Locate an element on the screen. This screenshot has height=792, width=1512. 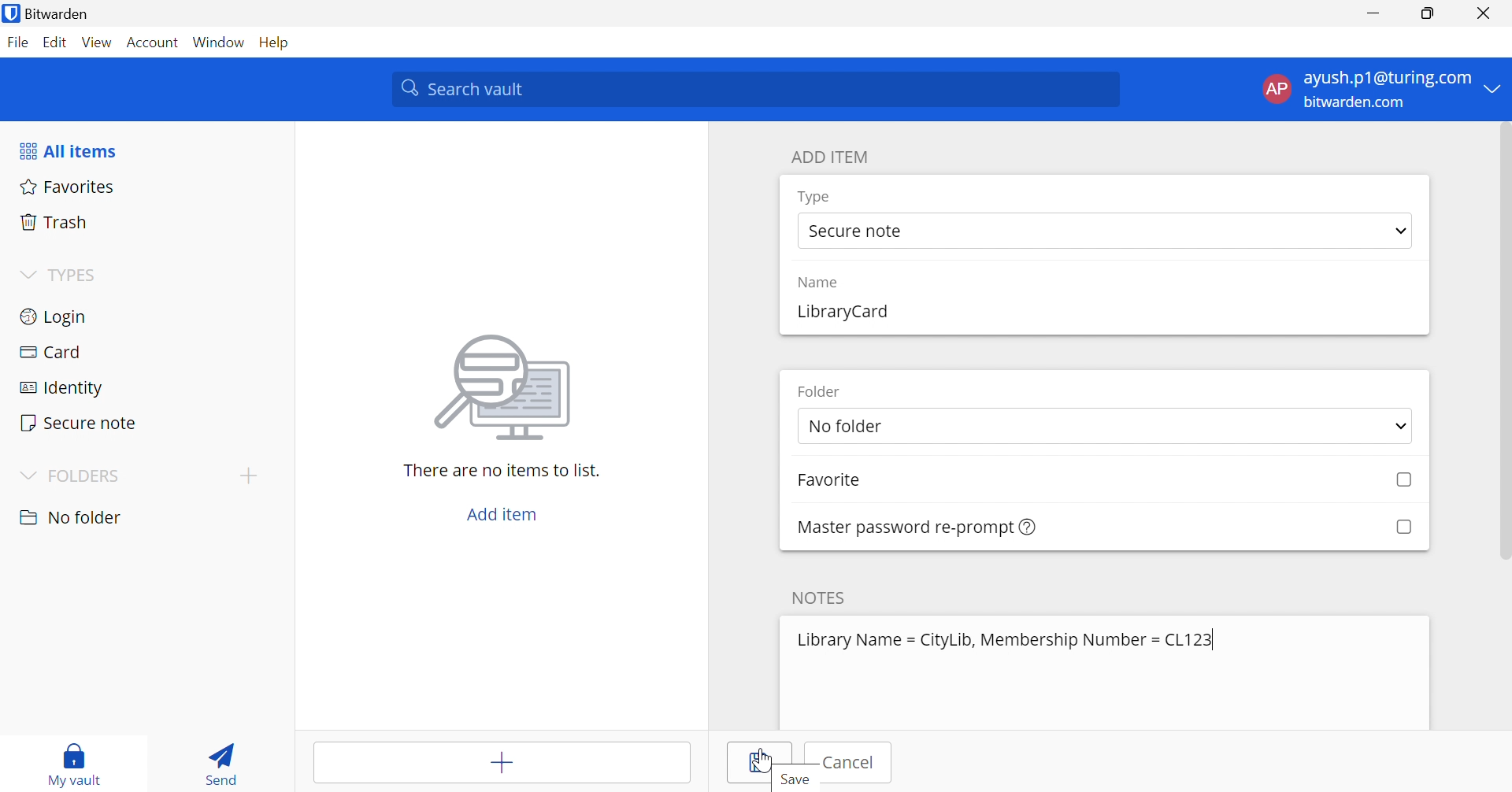
Card is located at coordinates (141, 349).